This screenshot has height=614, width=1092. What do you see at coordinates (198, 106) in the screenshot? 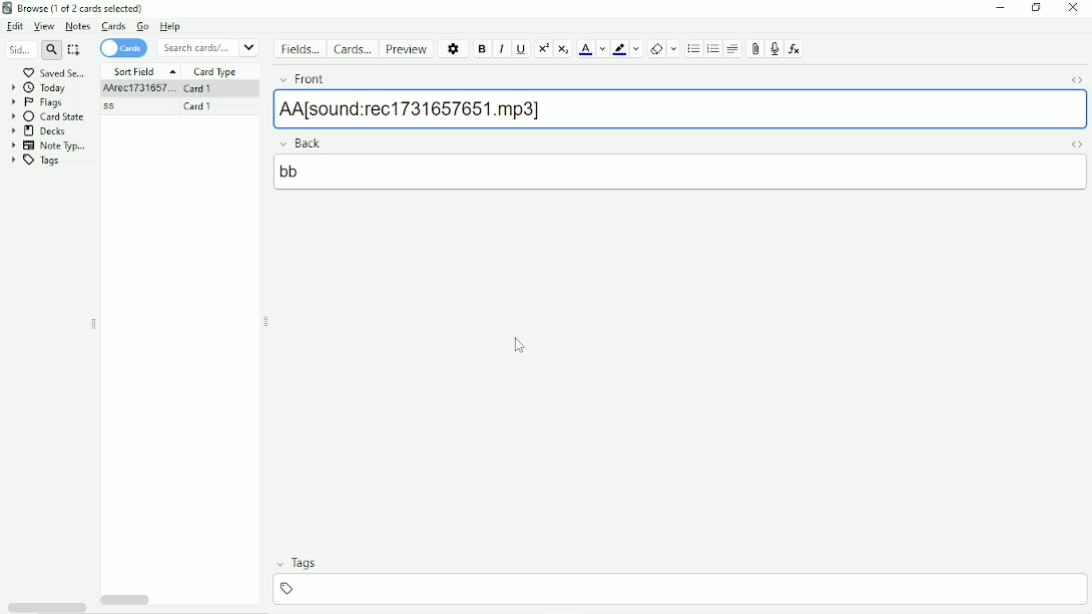
I see `Card 1` at bounding box center [198, 106].